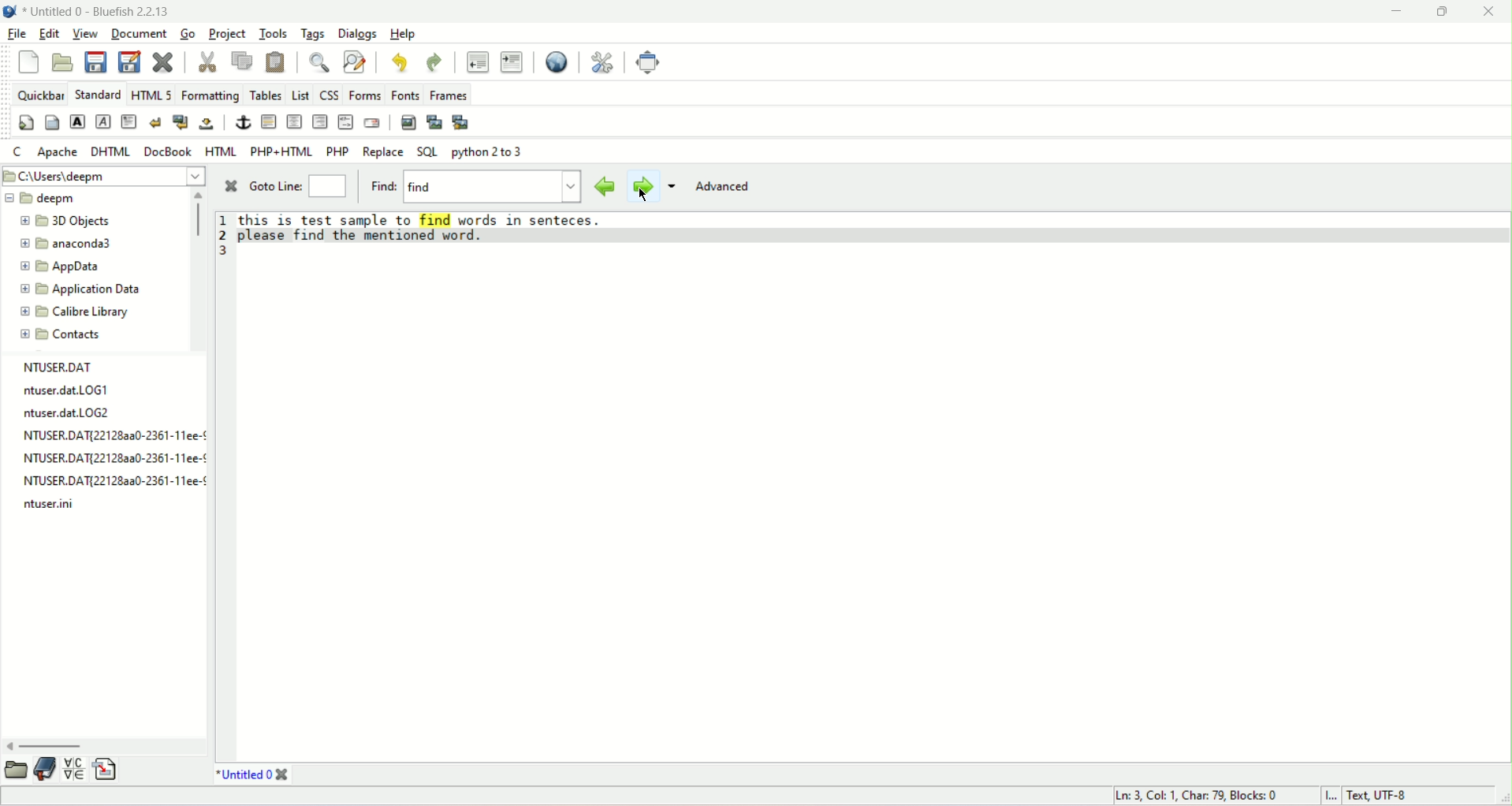 The height and width of the screenshot is (806, 1512). I want to click on body, so click(51, 123).